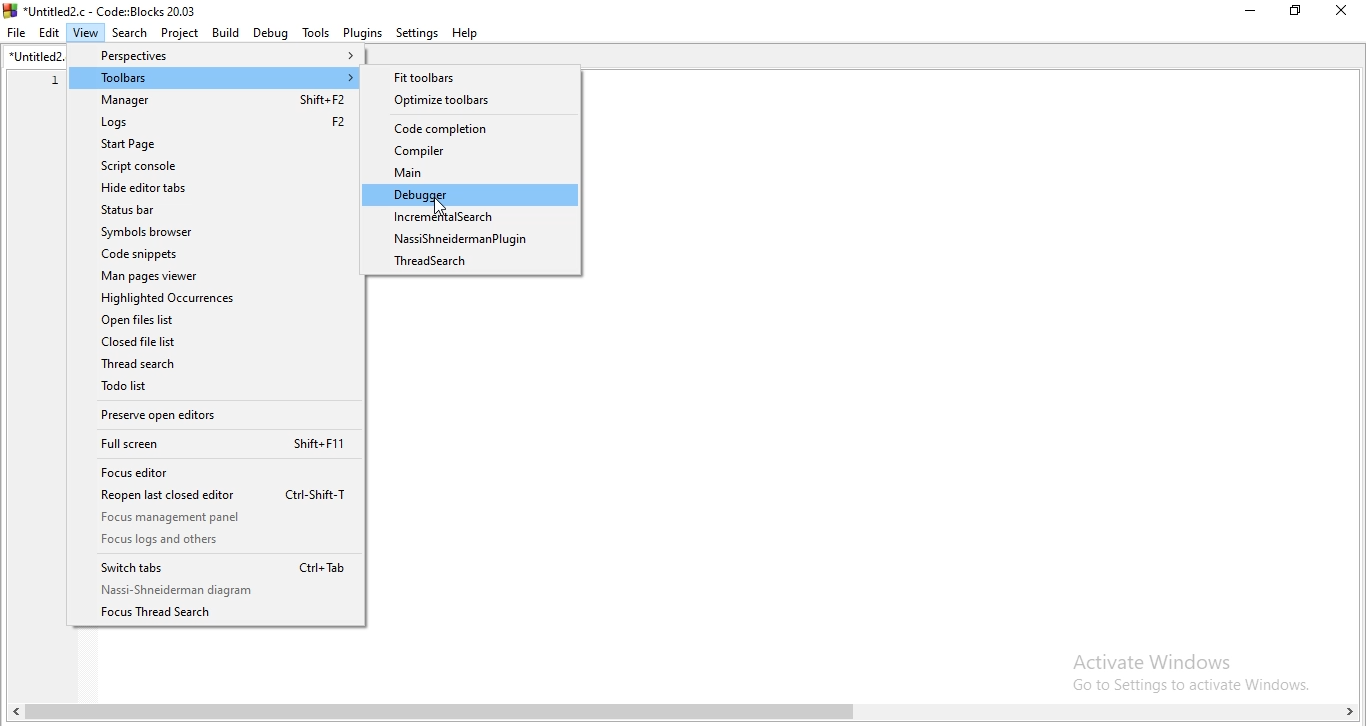 Image resolution: width=1366 pixels, height=726 pixels. I want to click on Project , so click(180, 34).